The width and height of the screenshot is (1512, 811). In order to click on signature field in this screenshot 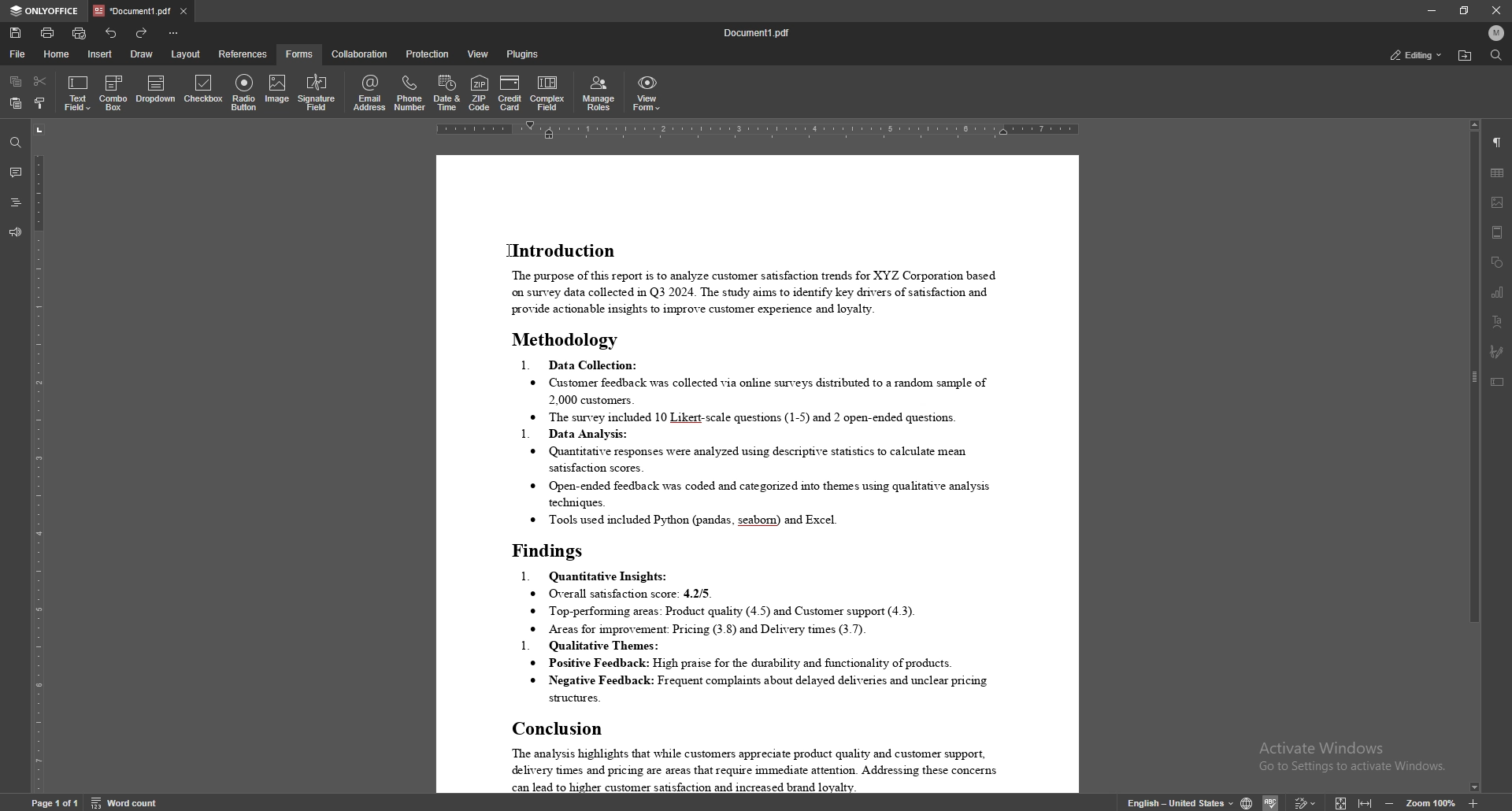, I will do `click(317, 94)`.